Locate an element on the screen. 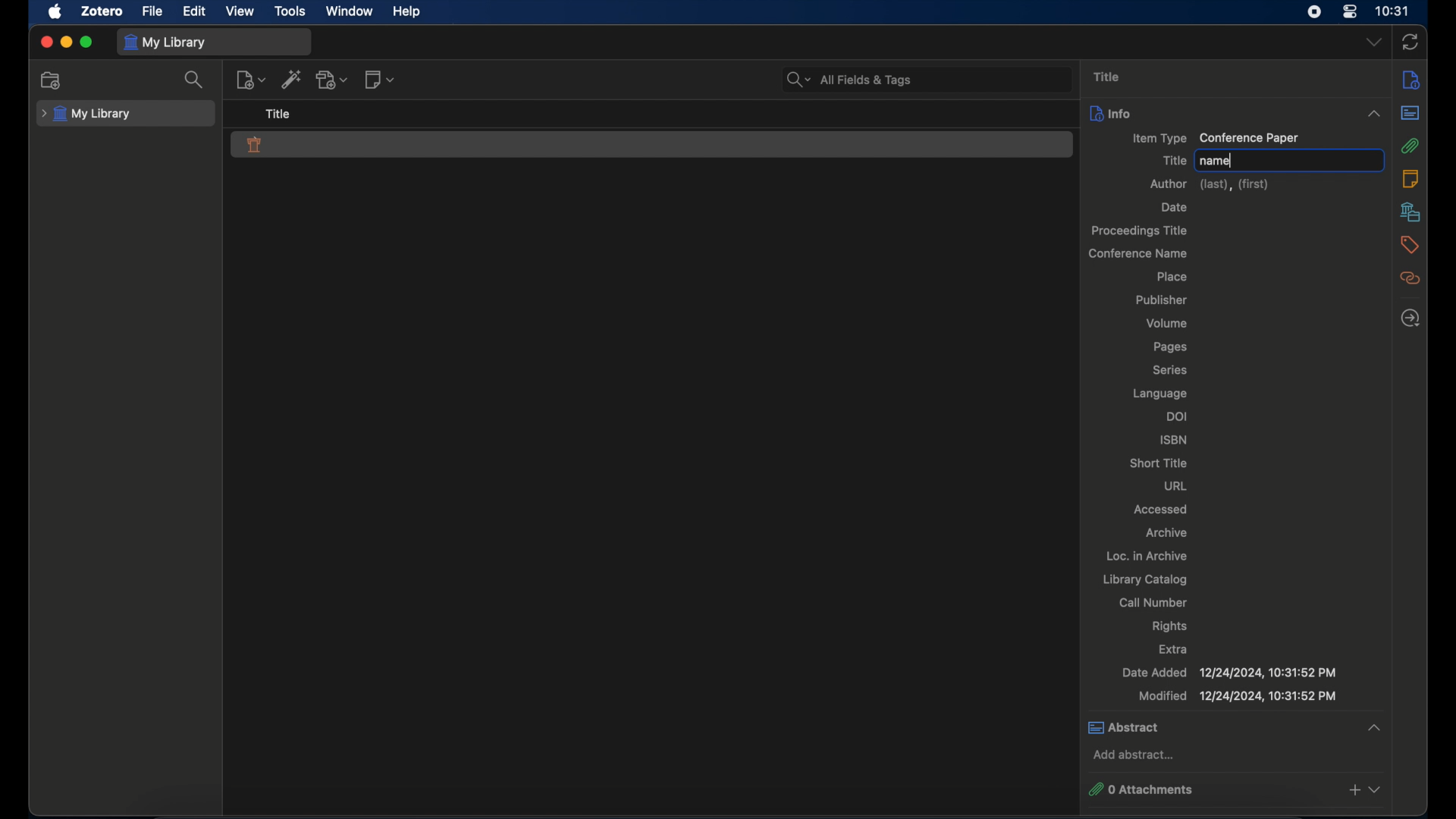 The width and height of the screenshot is (1456, 819). library catalog is located at coordinates (1146, 579).